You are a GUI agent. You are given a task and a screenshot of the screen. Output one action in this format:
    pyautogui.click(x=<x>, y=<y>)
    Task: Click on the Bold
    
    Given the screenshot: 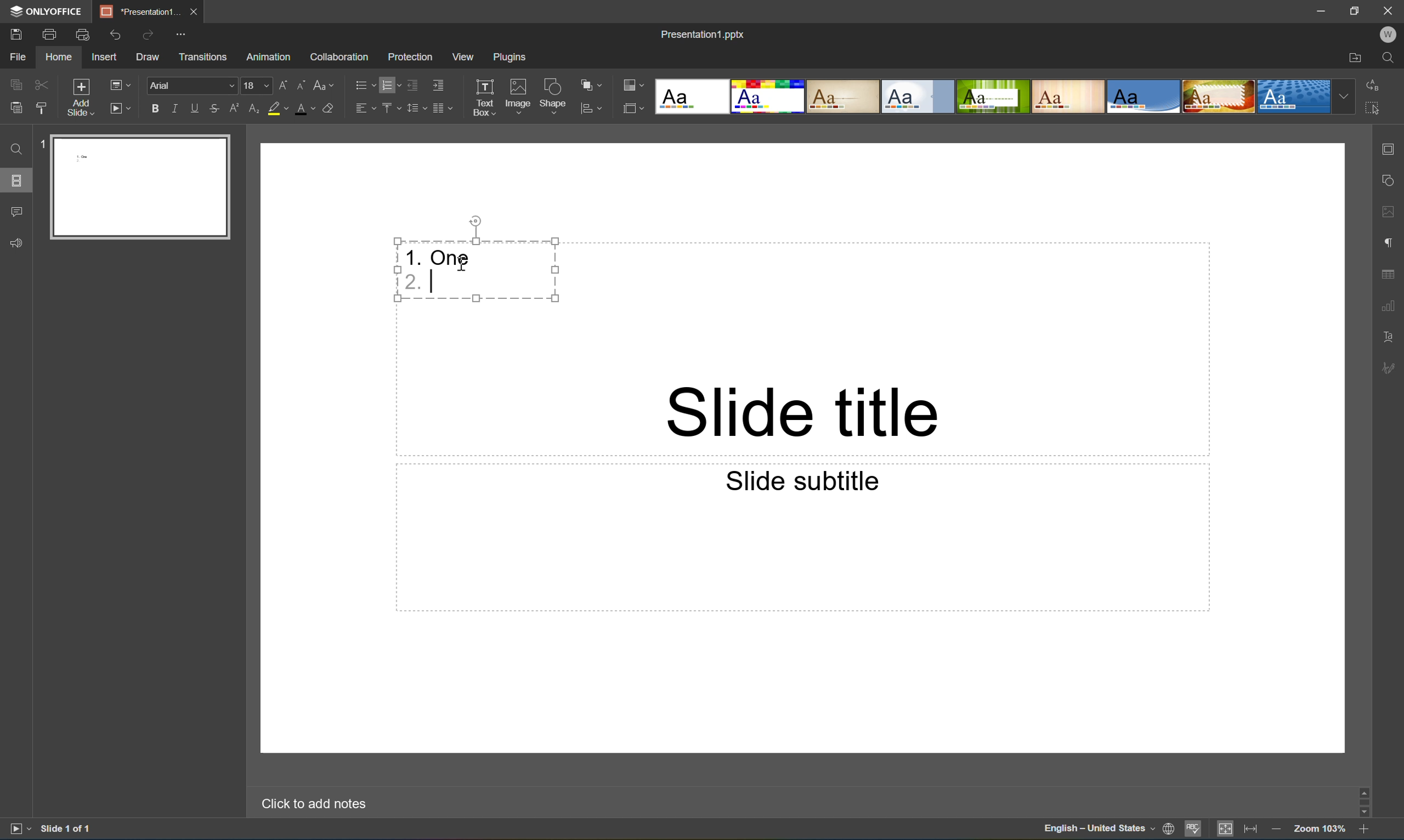 What is the action you would take?
    pyautogui.click(x=156, y=109)
    